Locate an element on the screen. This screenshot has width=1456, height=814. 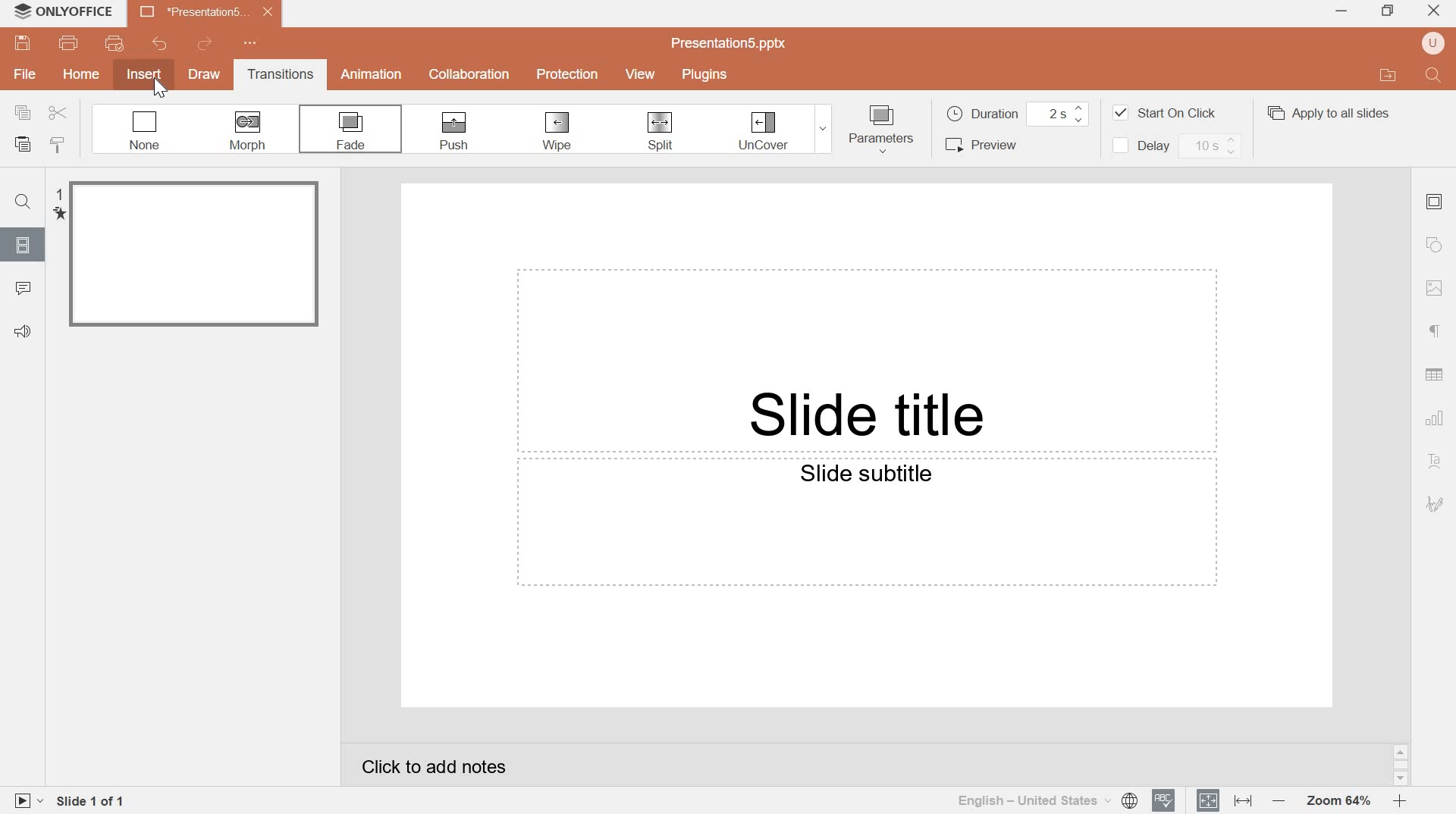
Quick print is located at coordinates (115, 42).